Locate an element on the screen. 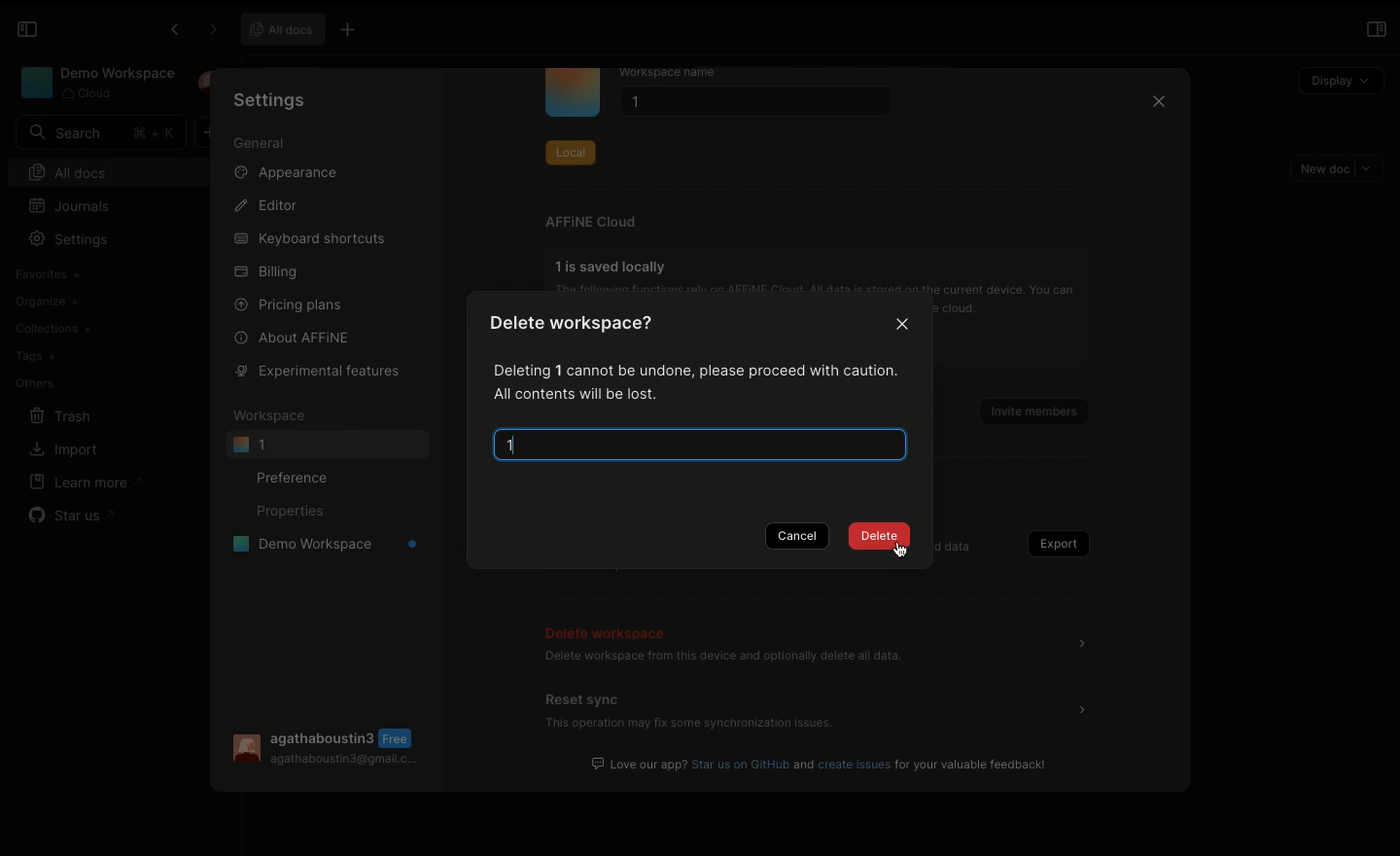 The image size is (1400, 856). Icon is located at coordinates (573, 93).